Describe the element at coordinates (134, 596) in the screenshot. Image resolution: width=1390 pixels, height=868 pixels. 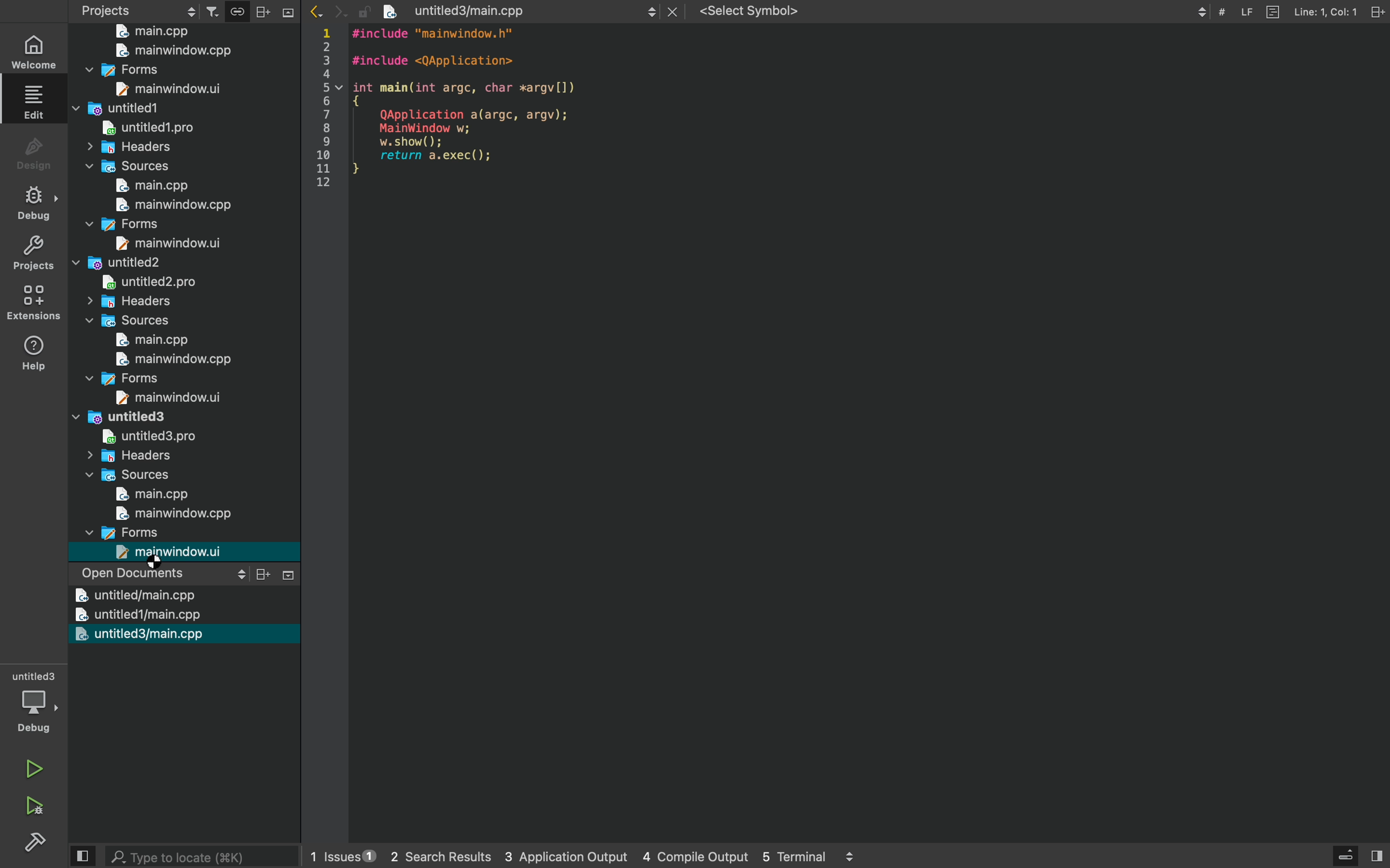
I see `untitled` at that location.